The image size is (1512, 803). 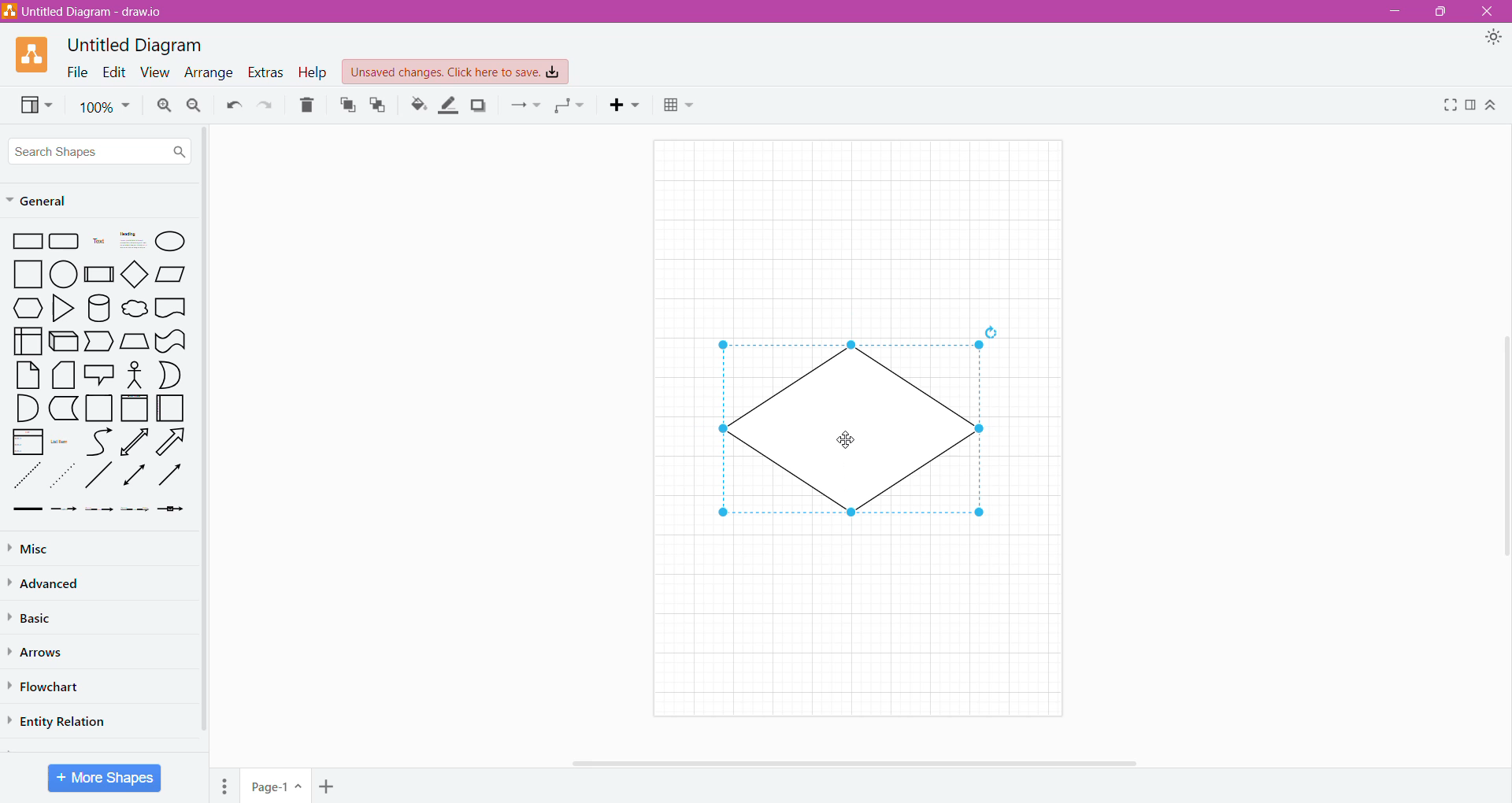 What do you see at coordinates (1448, 105) in the screenshot?
I see `FullScreen` at bounding box center [1448, 105].